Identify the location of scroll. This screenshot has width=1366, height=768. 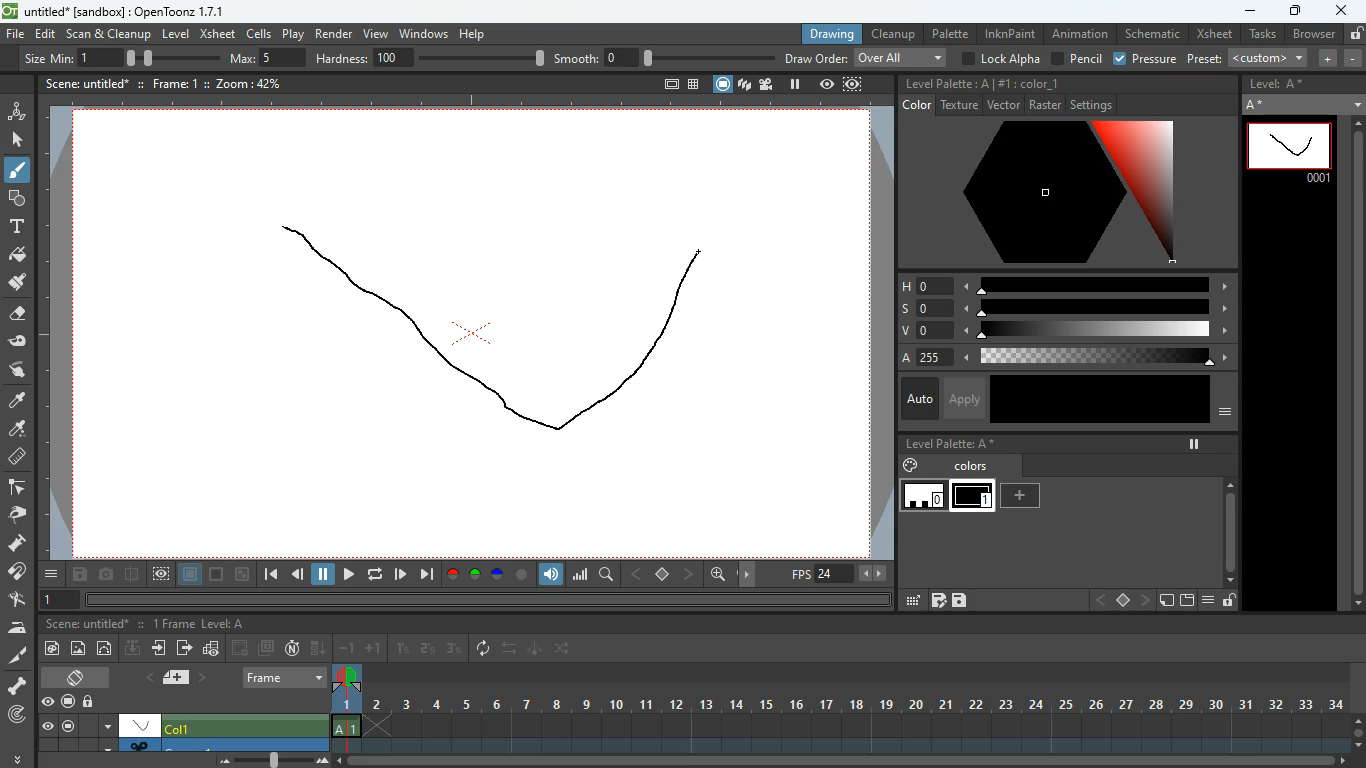
(1229, 519).